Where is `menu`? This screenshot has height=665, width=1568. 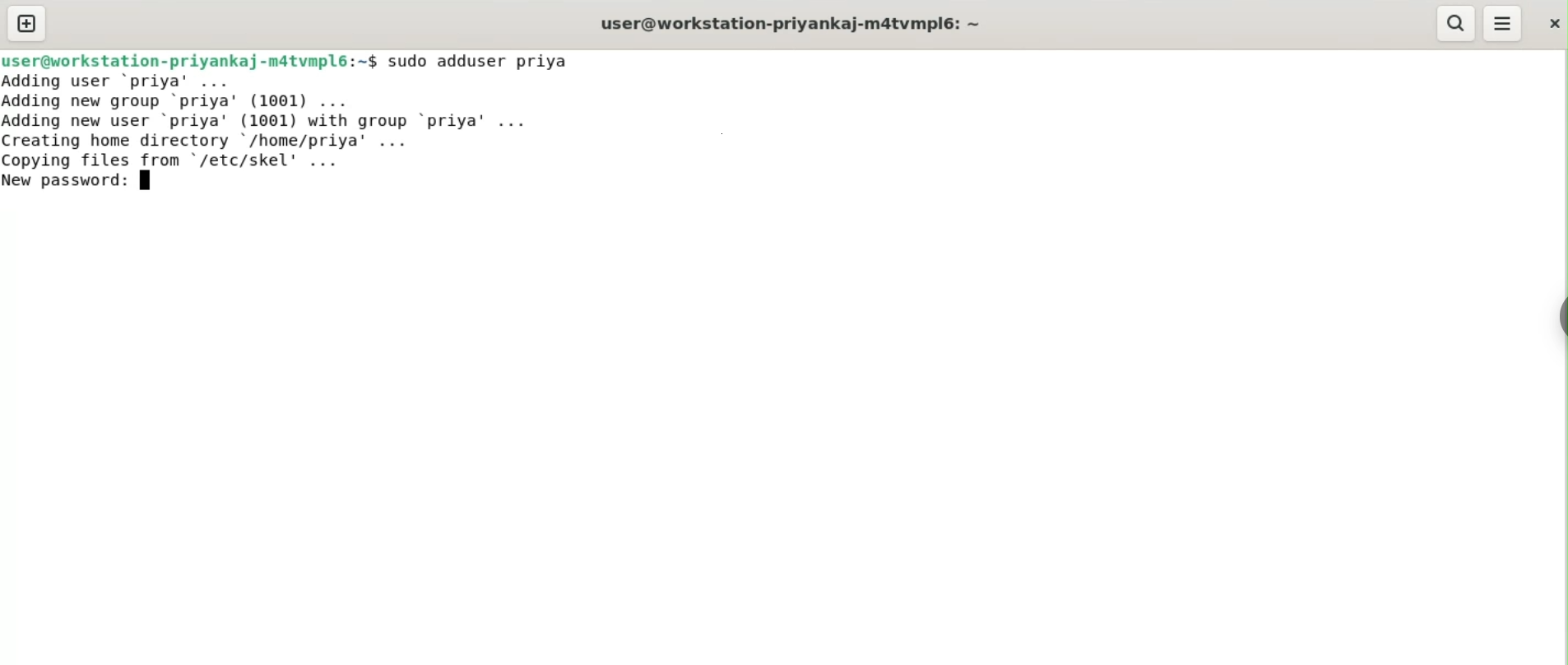 menu is located at coordinates (1503, 24).